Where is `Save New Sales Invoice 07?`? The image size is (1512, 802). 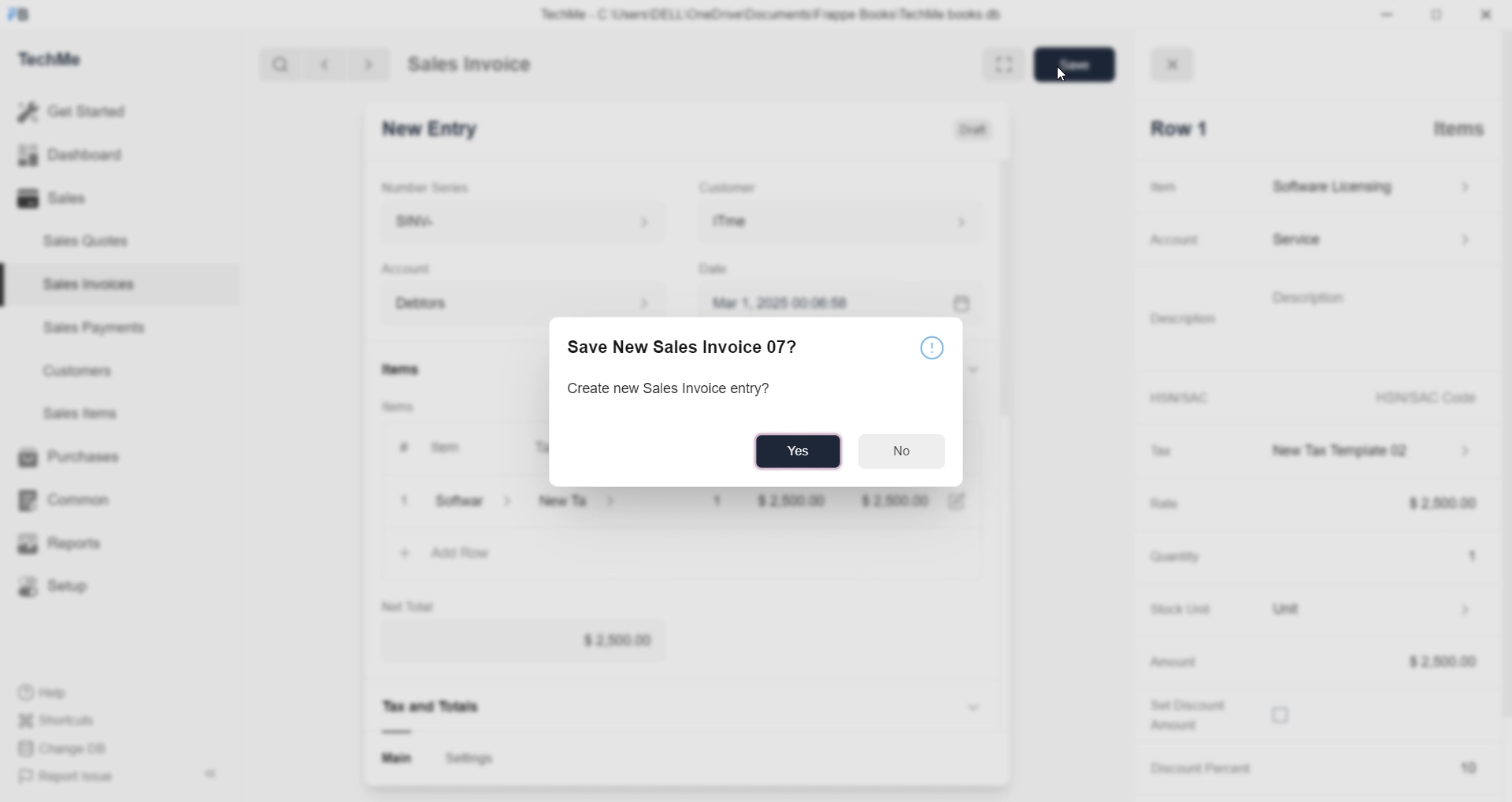 Save New Sales Invoice 07? is located at coordinates (695, 347).